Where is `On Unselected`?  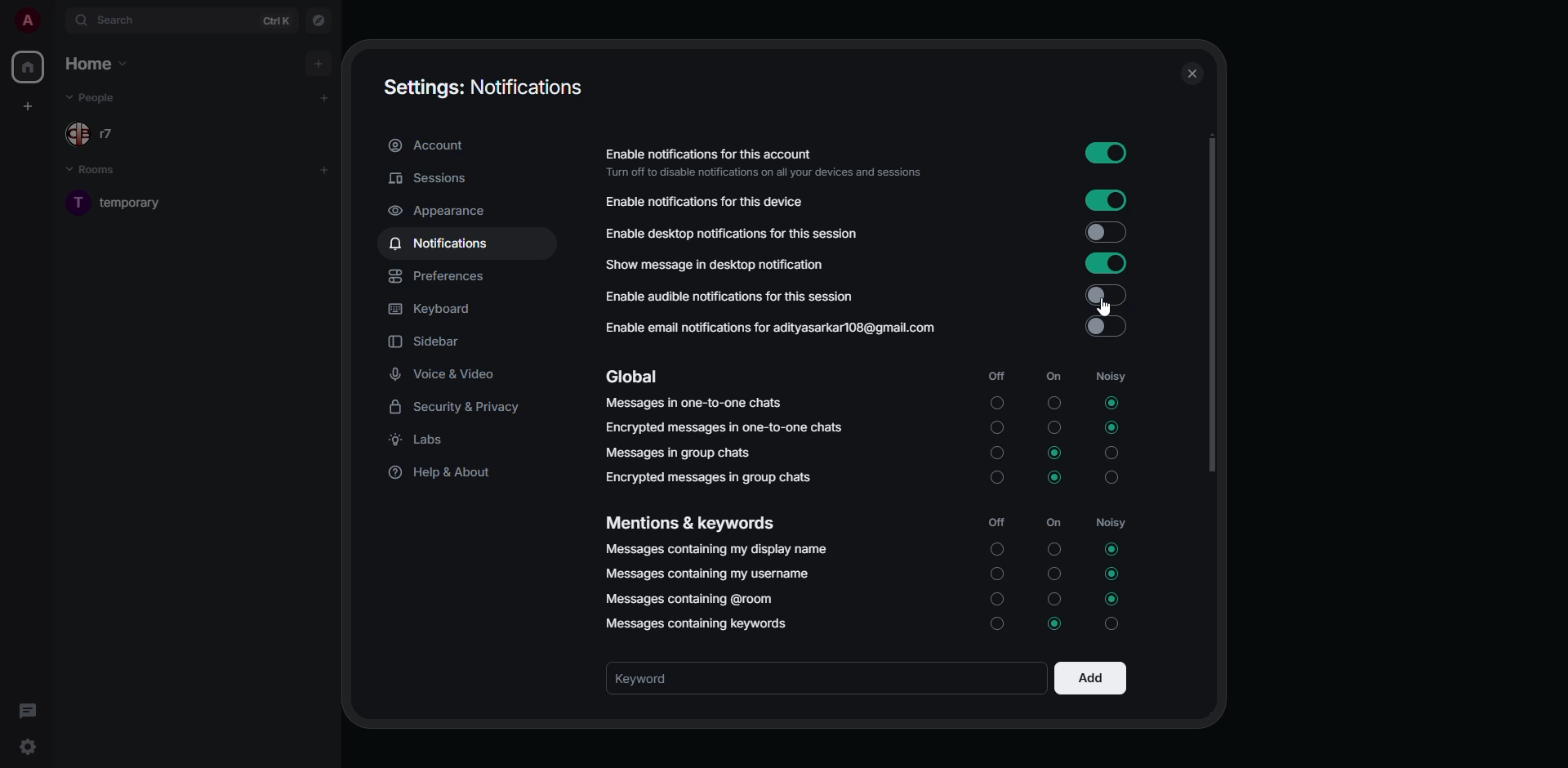
On Unselected is located at coordinates (1053, 575).